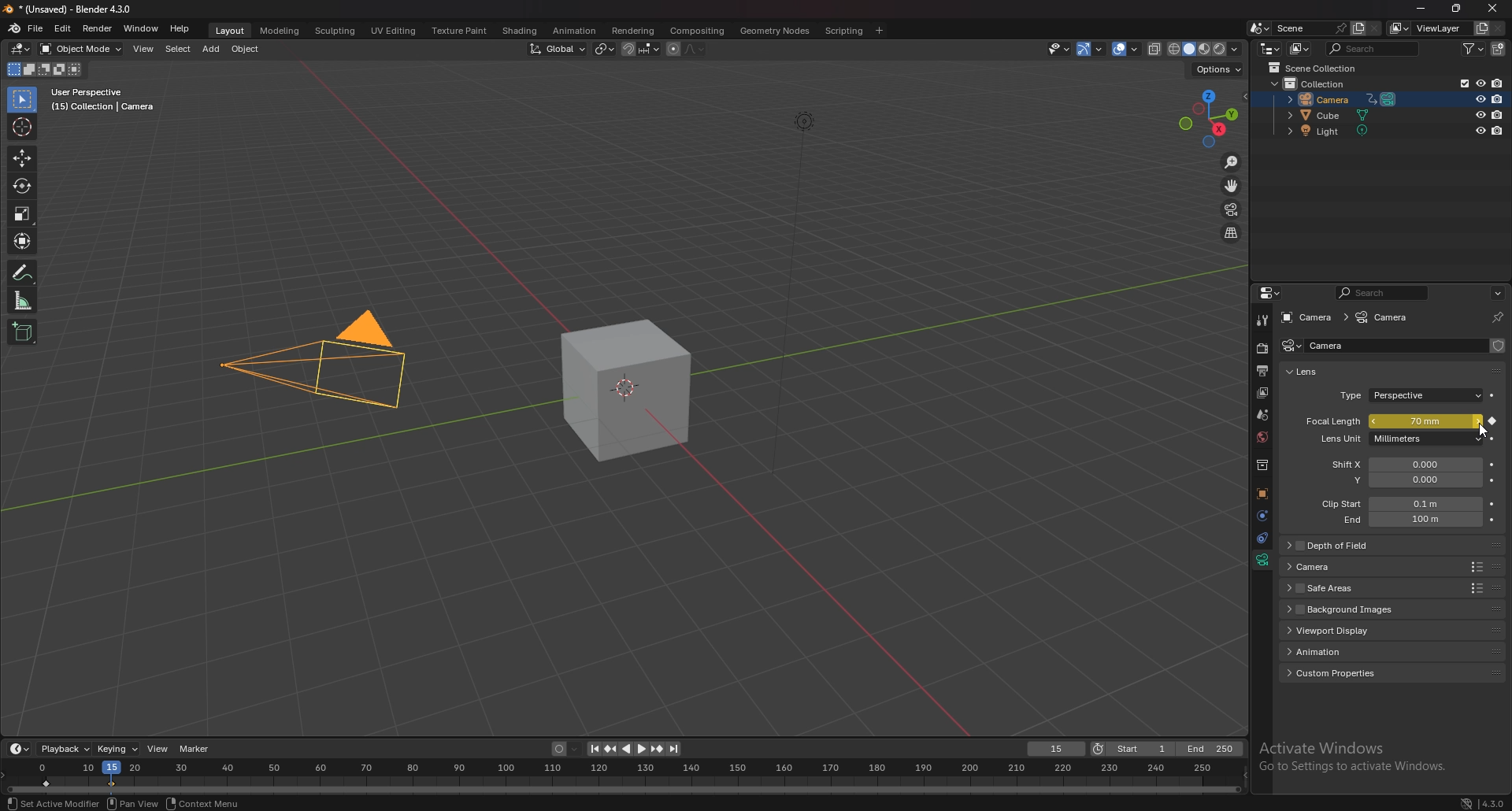 This screenshot has width=1512, height=811. I want to click on info, so click(103, 100).